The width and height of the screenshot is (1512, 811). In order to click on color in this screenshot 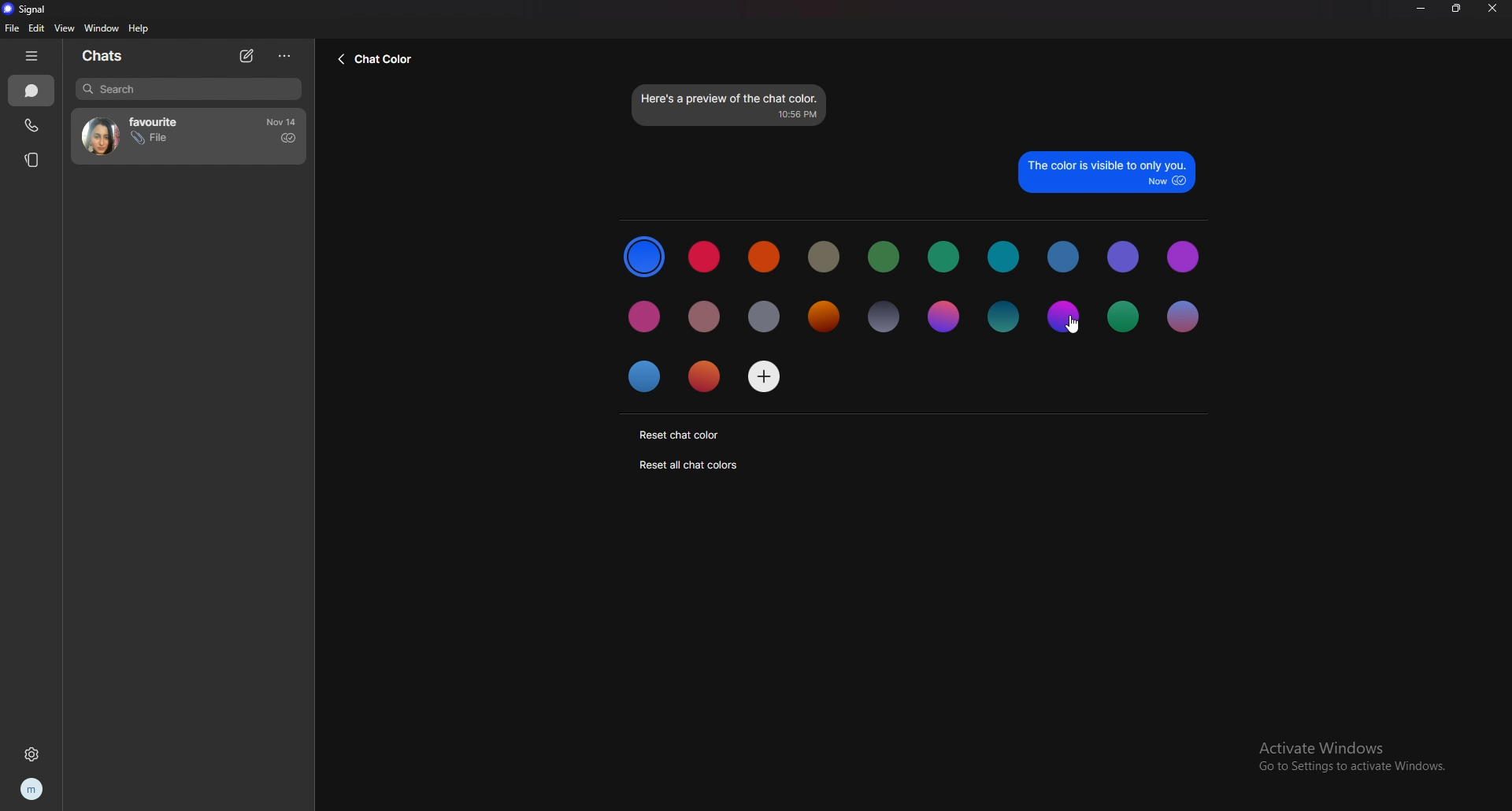, I will do `click(646, 316)`.